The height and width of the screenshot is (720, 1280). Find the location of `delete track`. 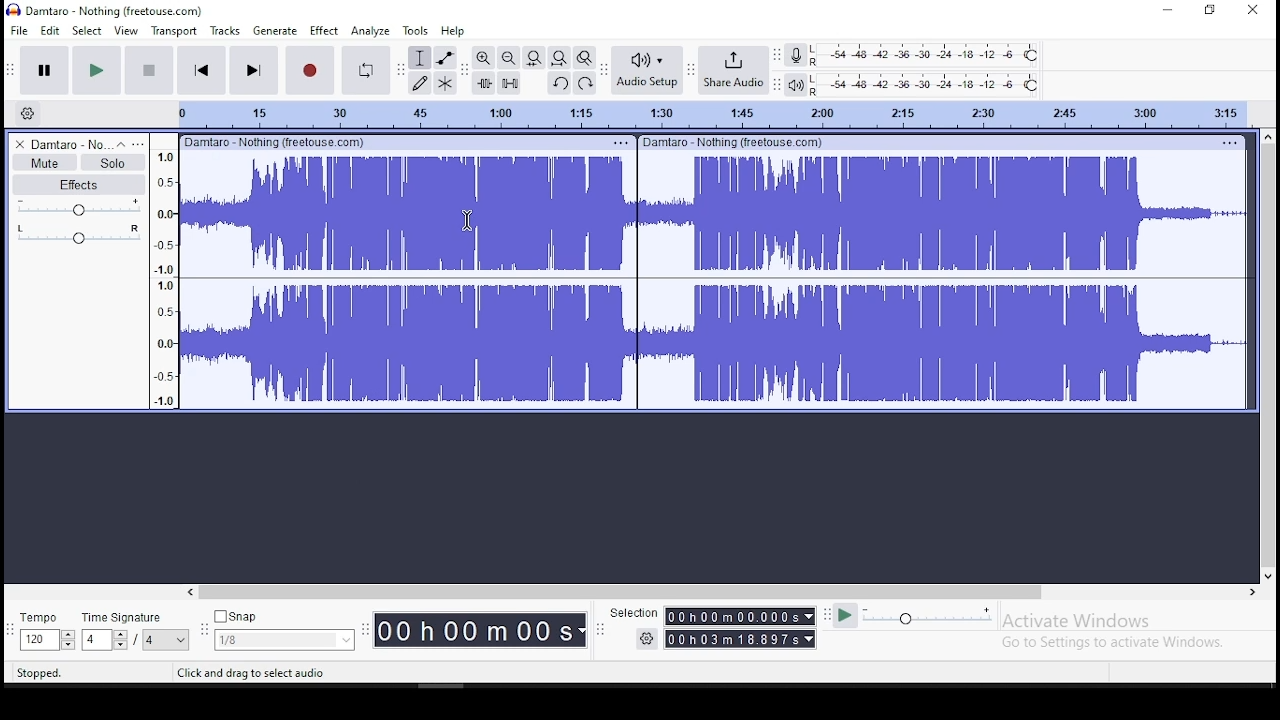

delete track is located at coordinates (17, 145).